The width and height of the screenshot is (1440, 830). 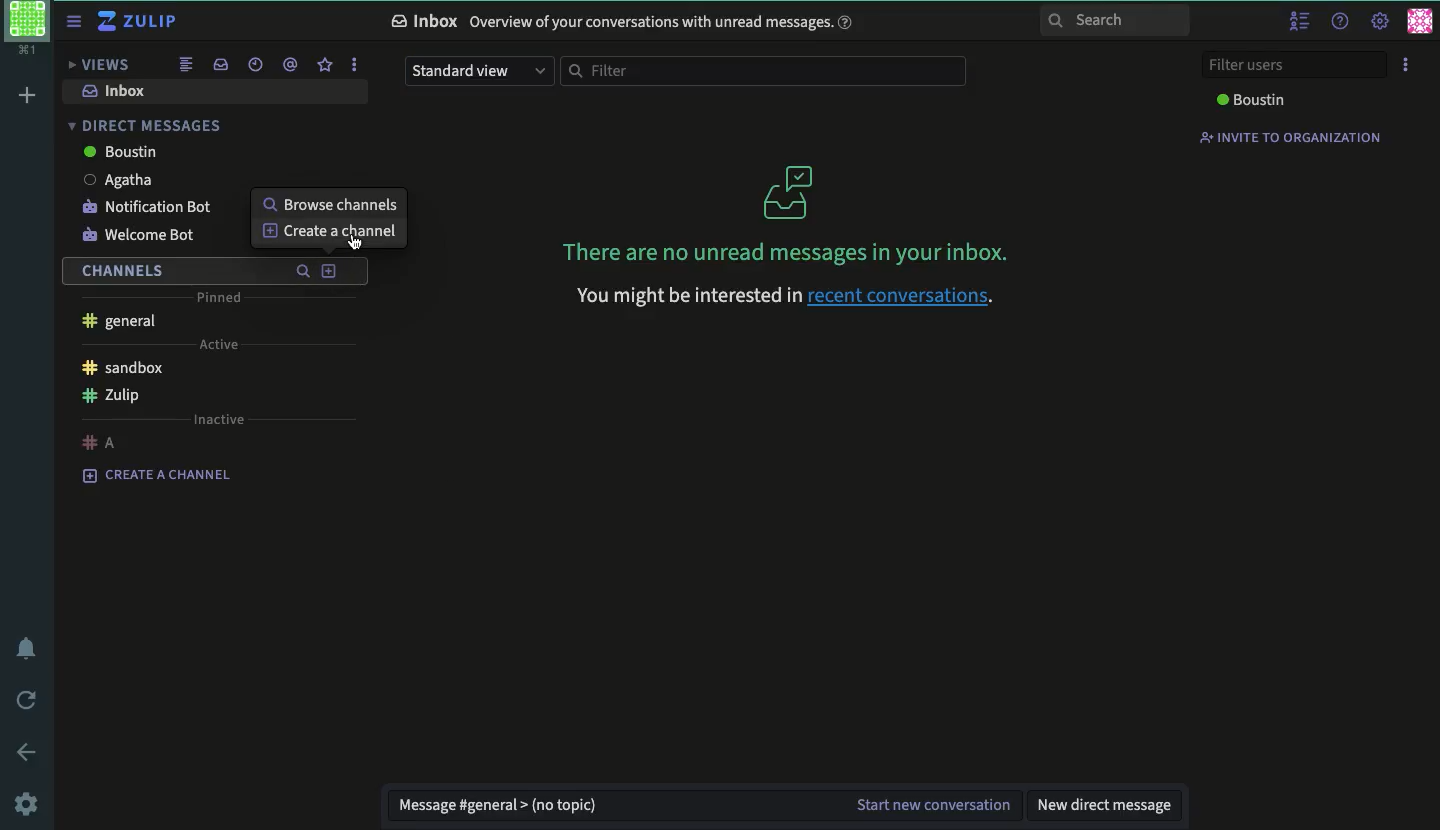 I want to click on inactive, so click(x=223, y=421).